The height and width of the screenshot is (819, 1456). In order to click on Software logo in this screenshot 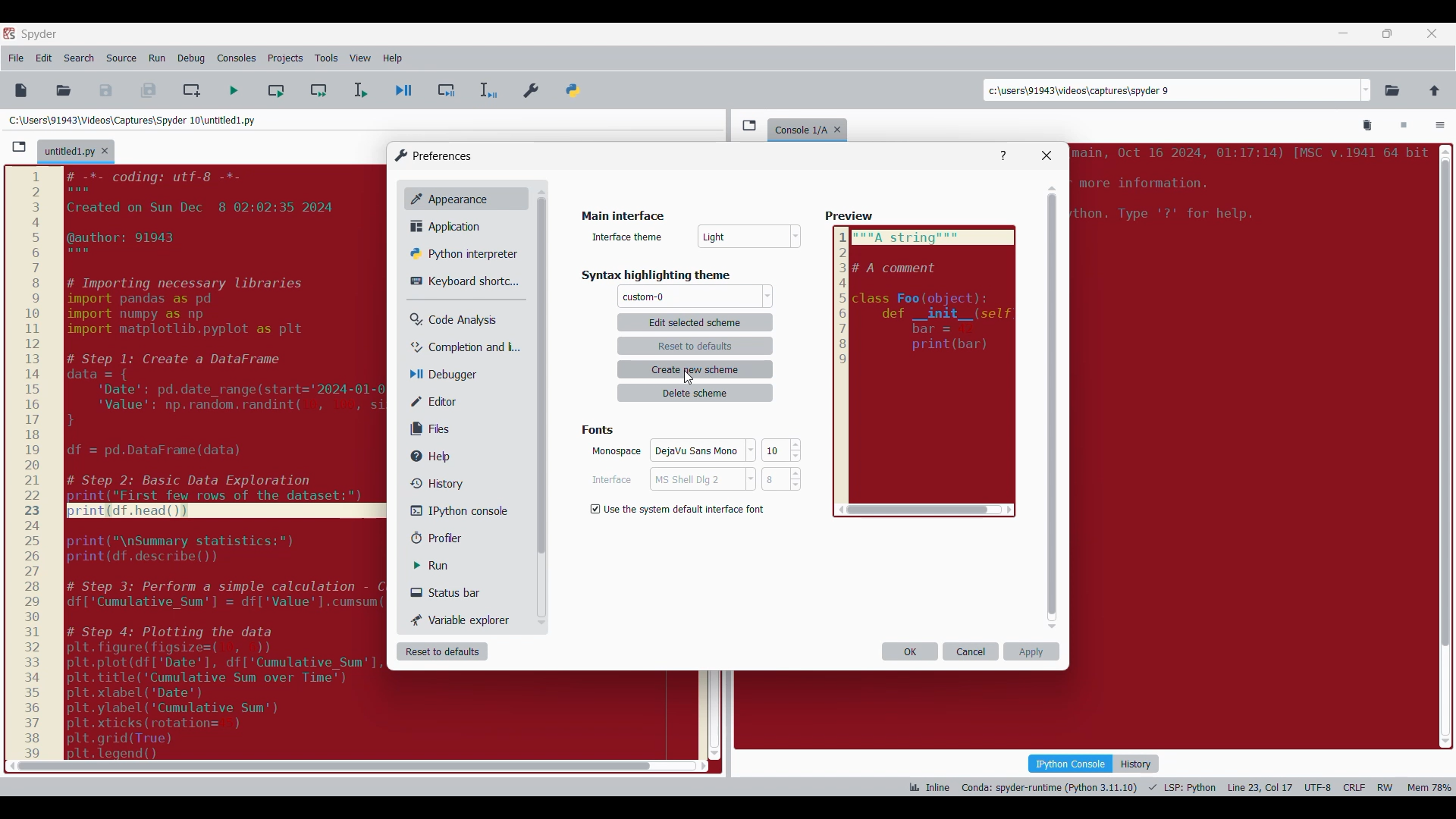, I will do `click(9, 33)`.